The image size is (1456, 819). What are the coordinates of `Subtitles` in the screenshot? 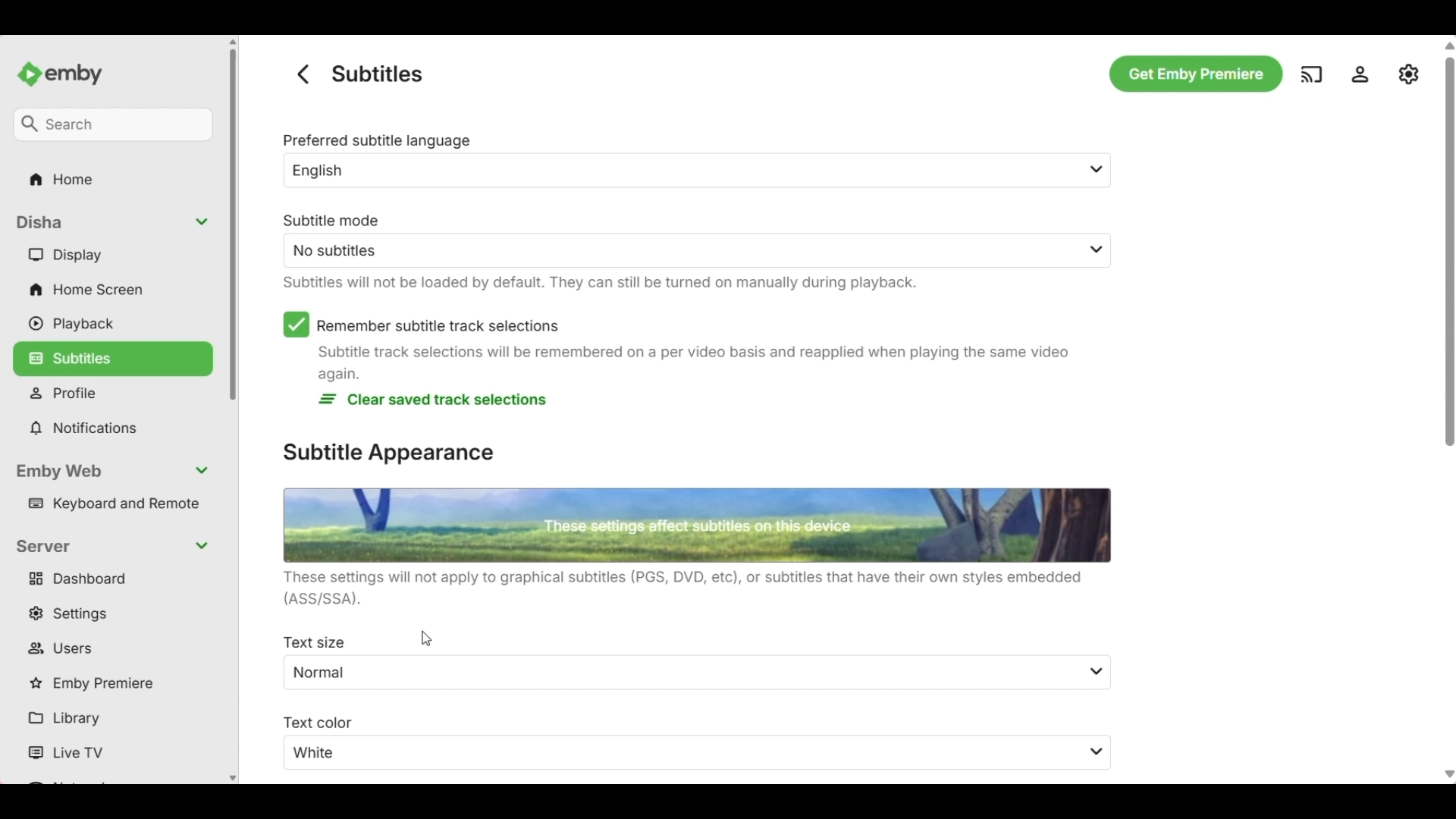 It's located at (113, 356).